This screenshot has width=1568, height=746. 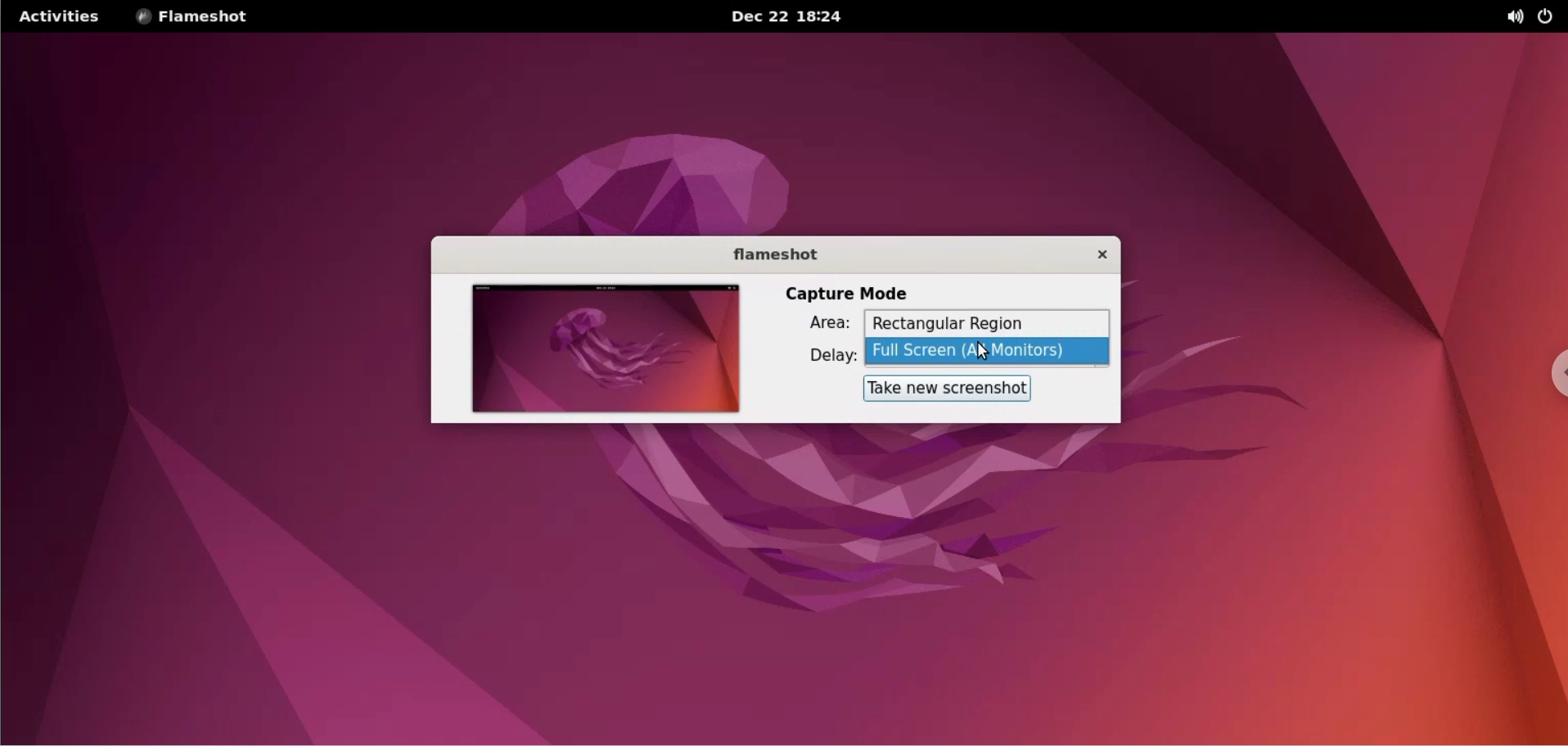 What do you see at coordinates (781, 16) in the screenshot?
I see `Dec 22 18:24` at bounding box center [781, 16].